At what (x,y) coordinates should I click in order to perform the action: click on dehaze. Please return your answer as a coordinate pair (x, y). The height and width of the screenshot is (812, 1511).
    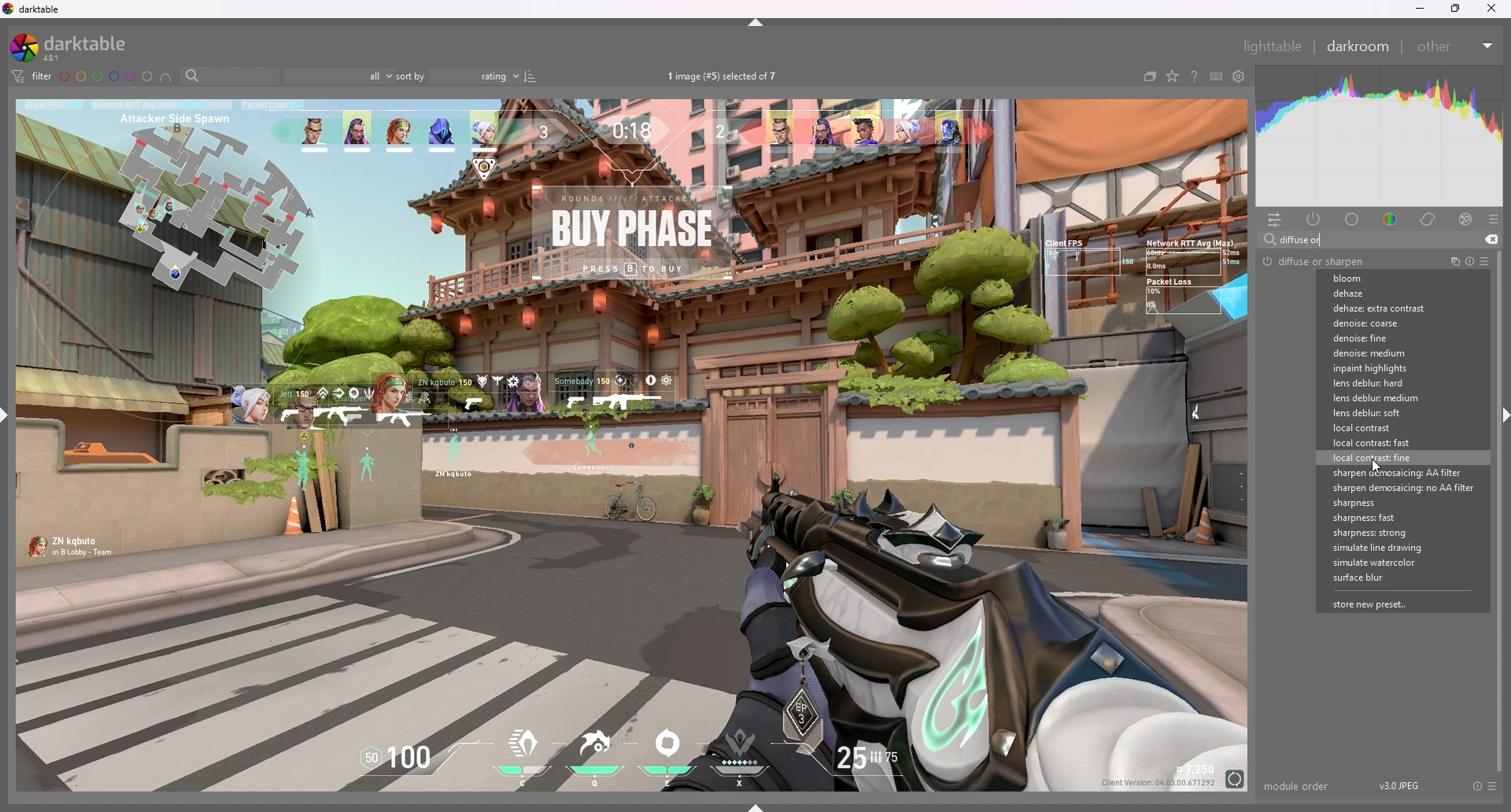
    Looking at the image, I should click on (1373, 293).